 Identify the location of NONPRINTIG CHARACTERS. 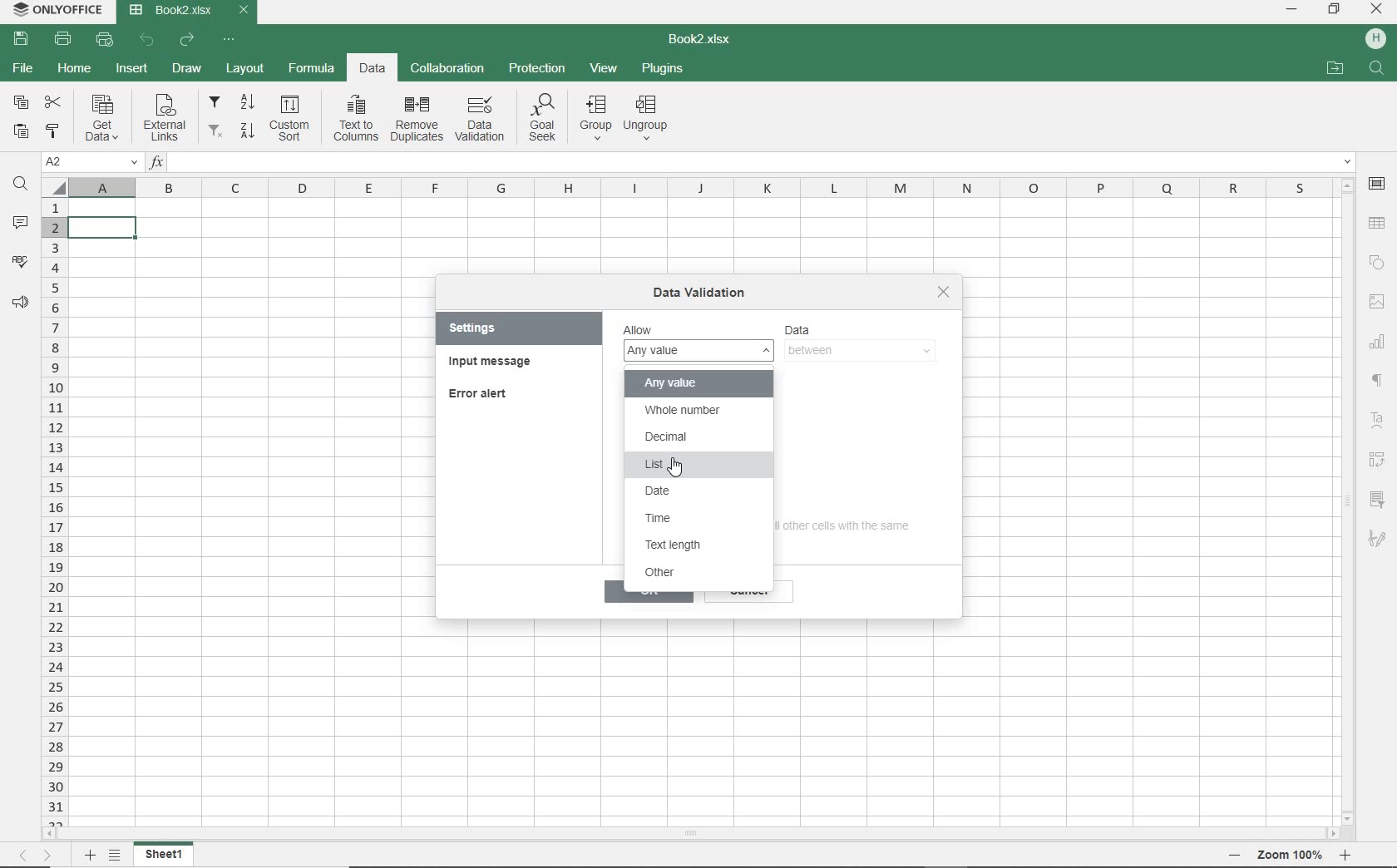
(1379, 382).